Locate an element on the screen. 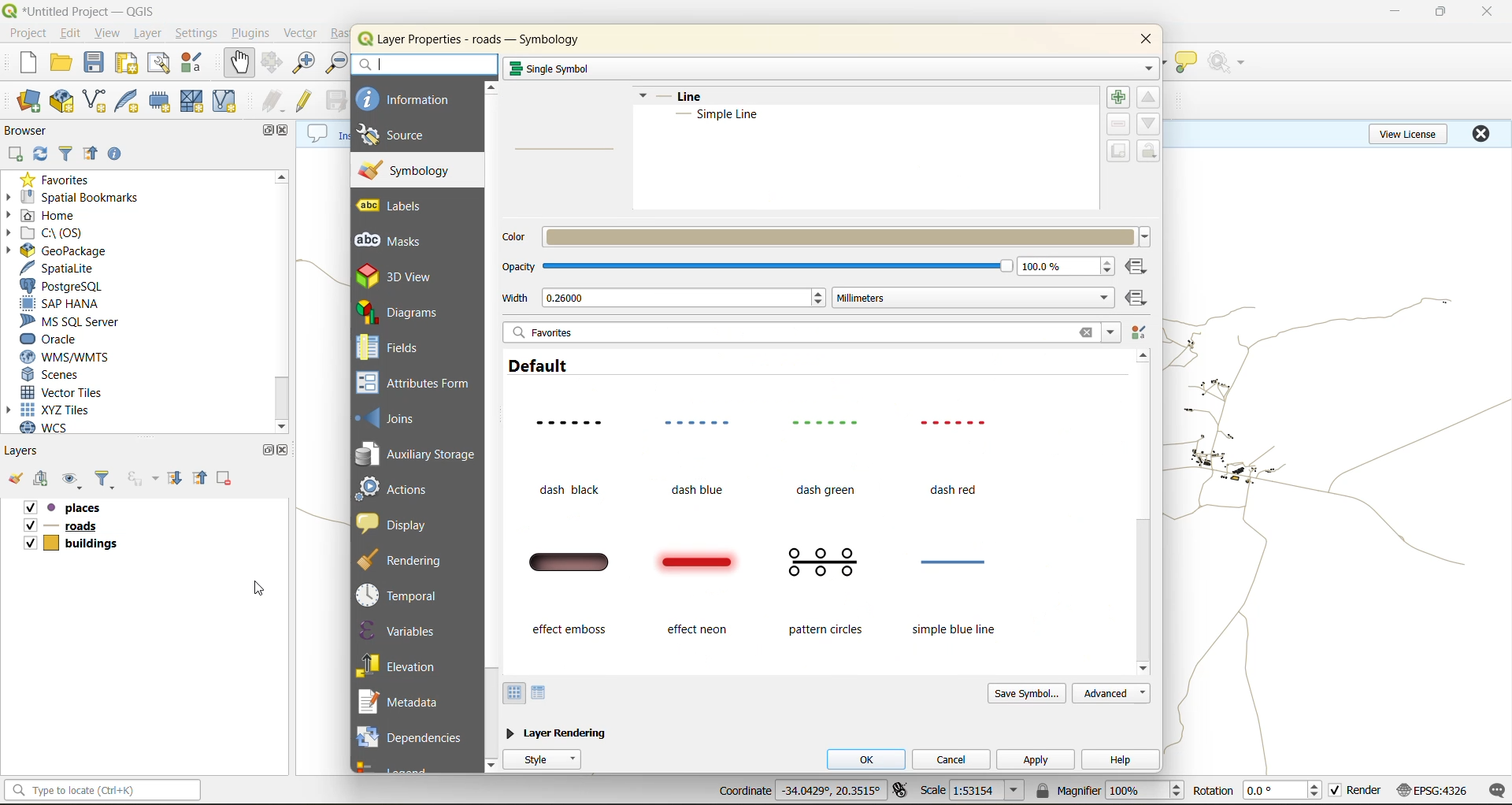  show layout is located at coordinates (161, 63).